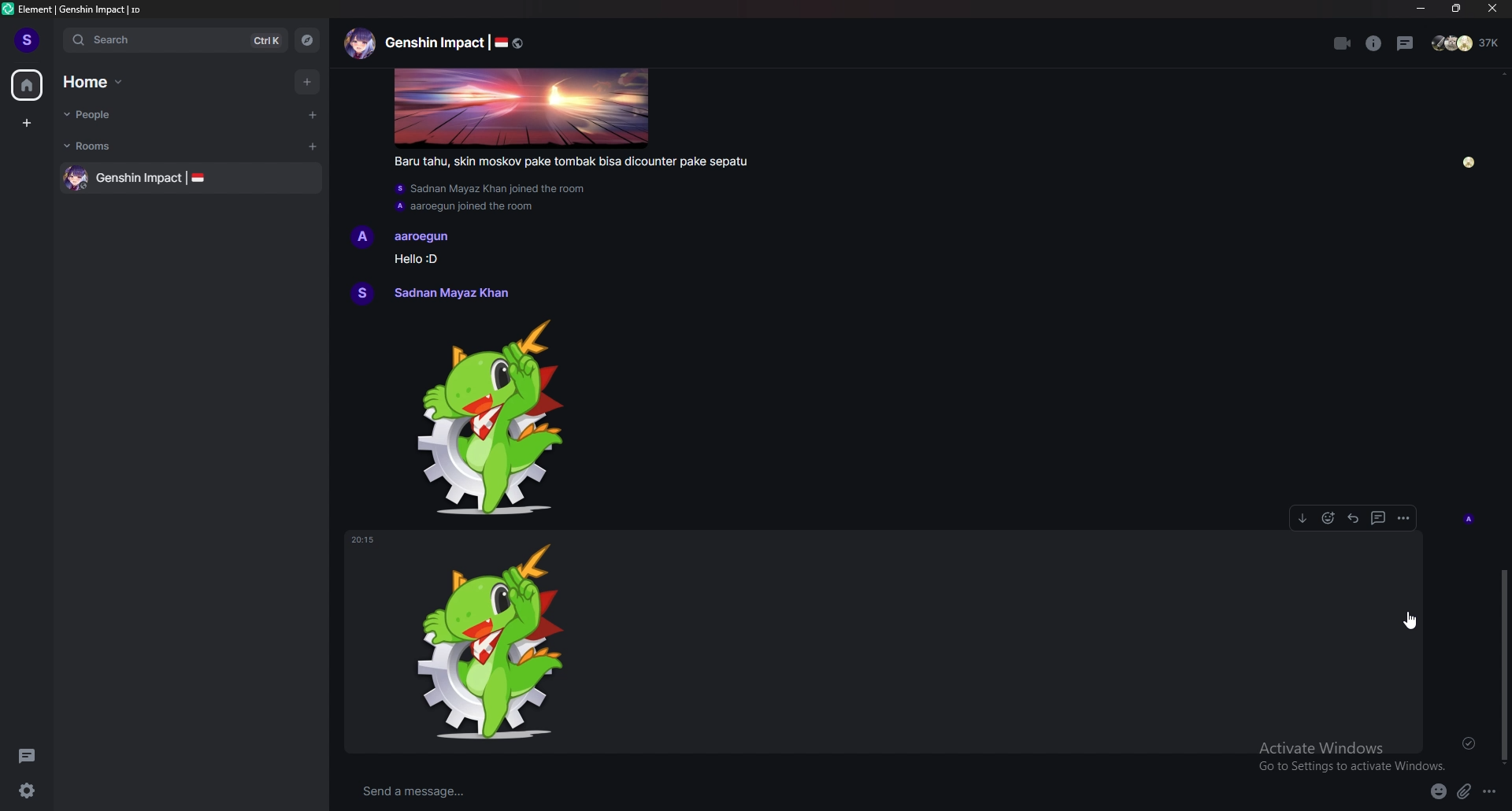  What do you see at coordinates (1403, 518) in the screenshot?
I see `options` at bounding box center [1403, 518].